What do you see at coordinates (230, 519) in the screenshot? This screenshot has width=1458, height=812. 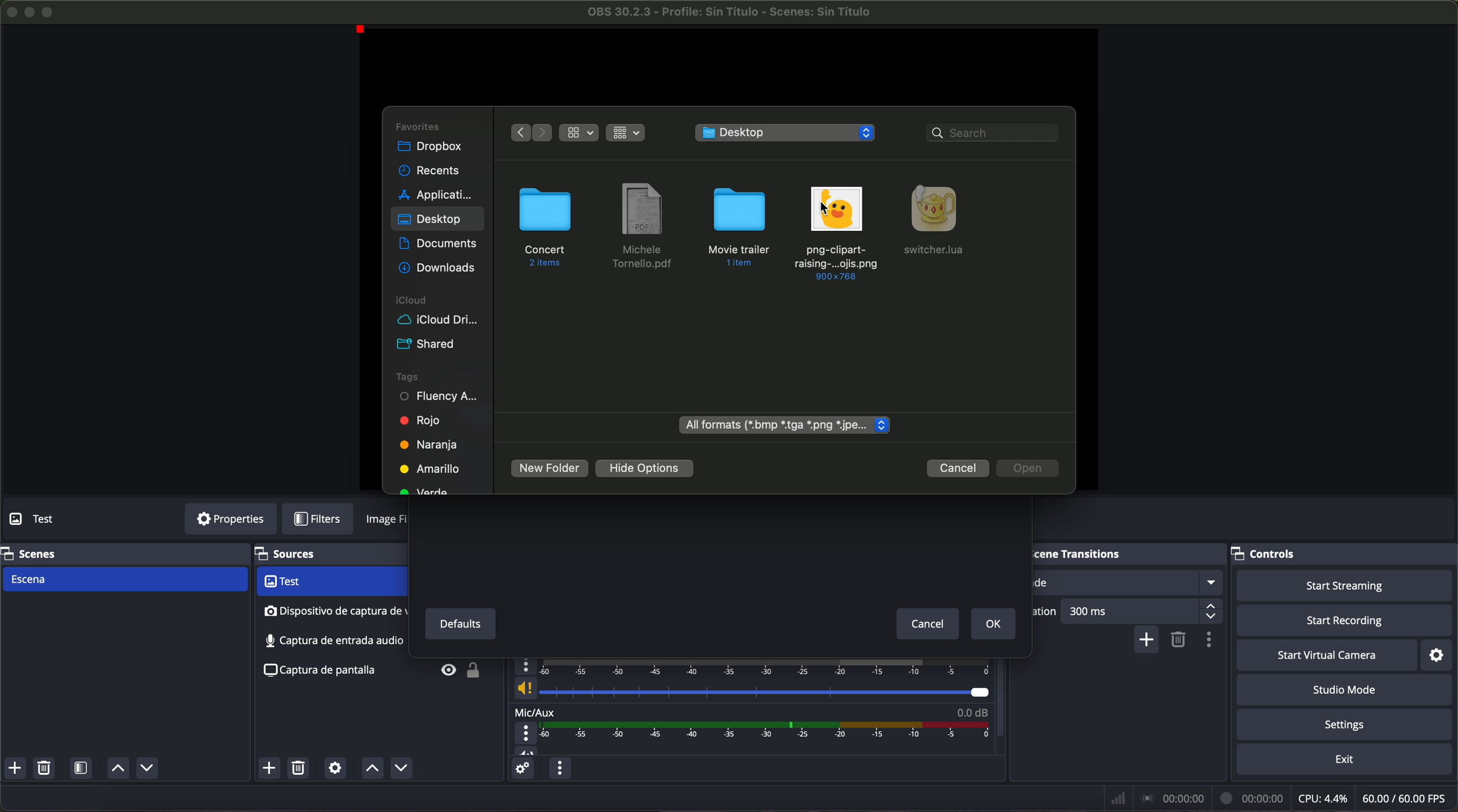 I see `properties` at bounding box center [230, 519].